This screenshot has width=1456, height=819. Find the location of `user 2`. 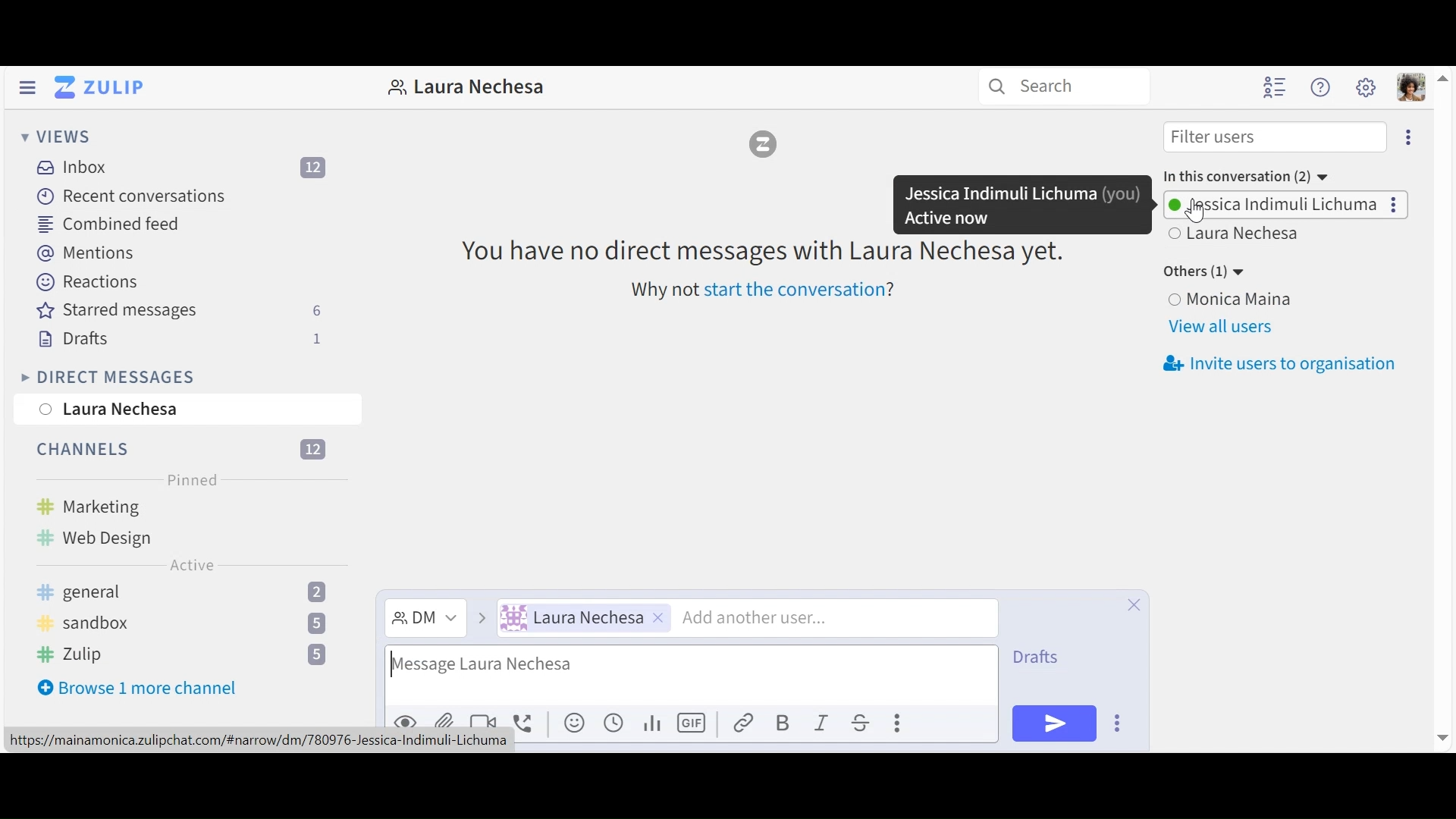

user 2 is located at coordinates (1238, 236).